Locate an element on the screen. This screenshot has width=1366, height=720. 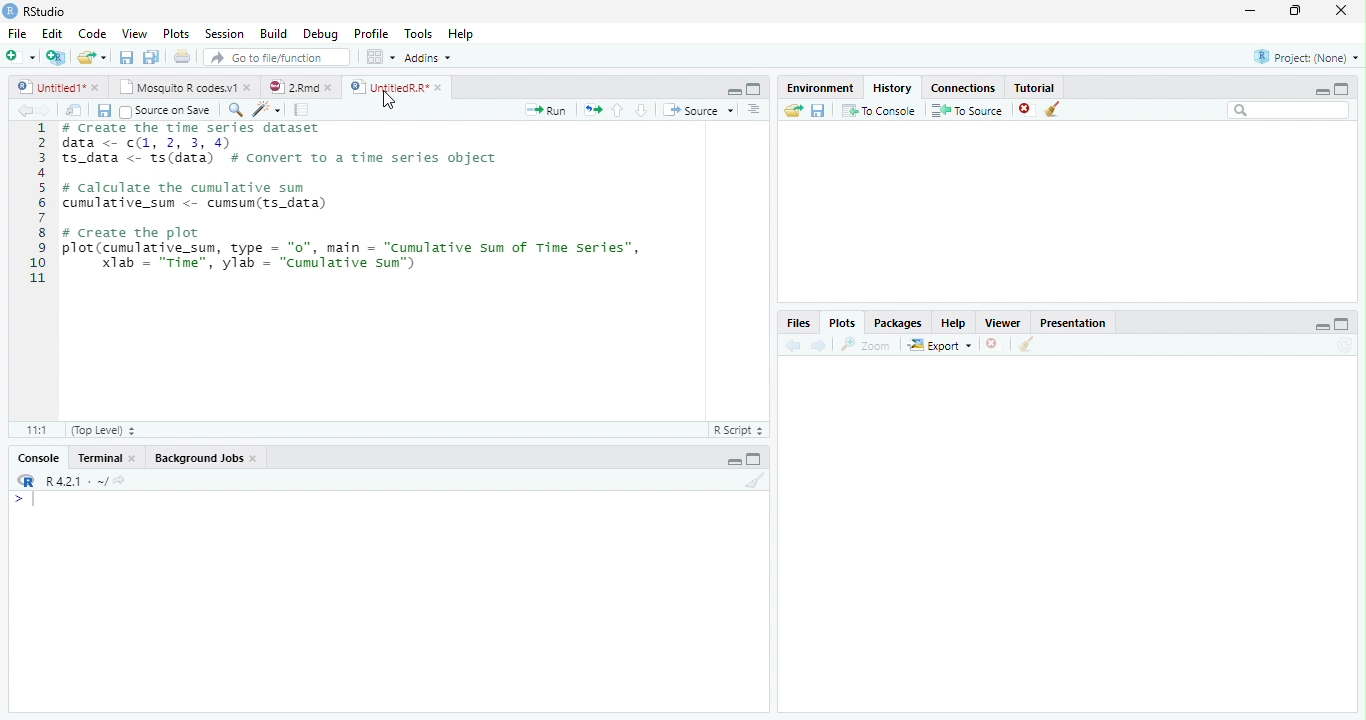
R script is located at coordinates (741, 430).